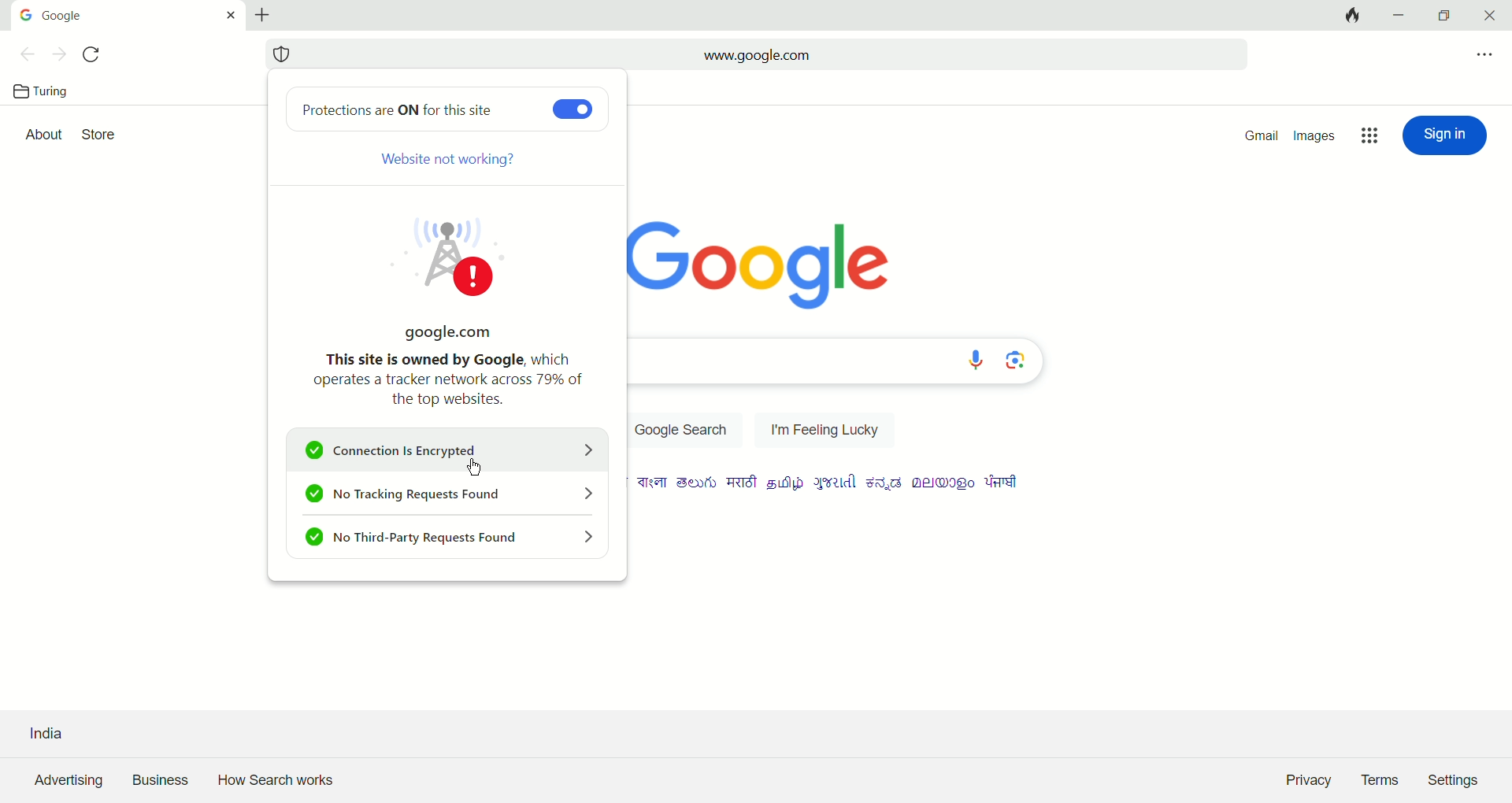 This screenshot has height=803, width=1512. I want to click on business, so click(160, 781).